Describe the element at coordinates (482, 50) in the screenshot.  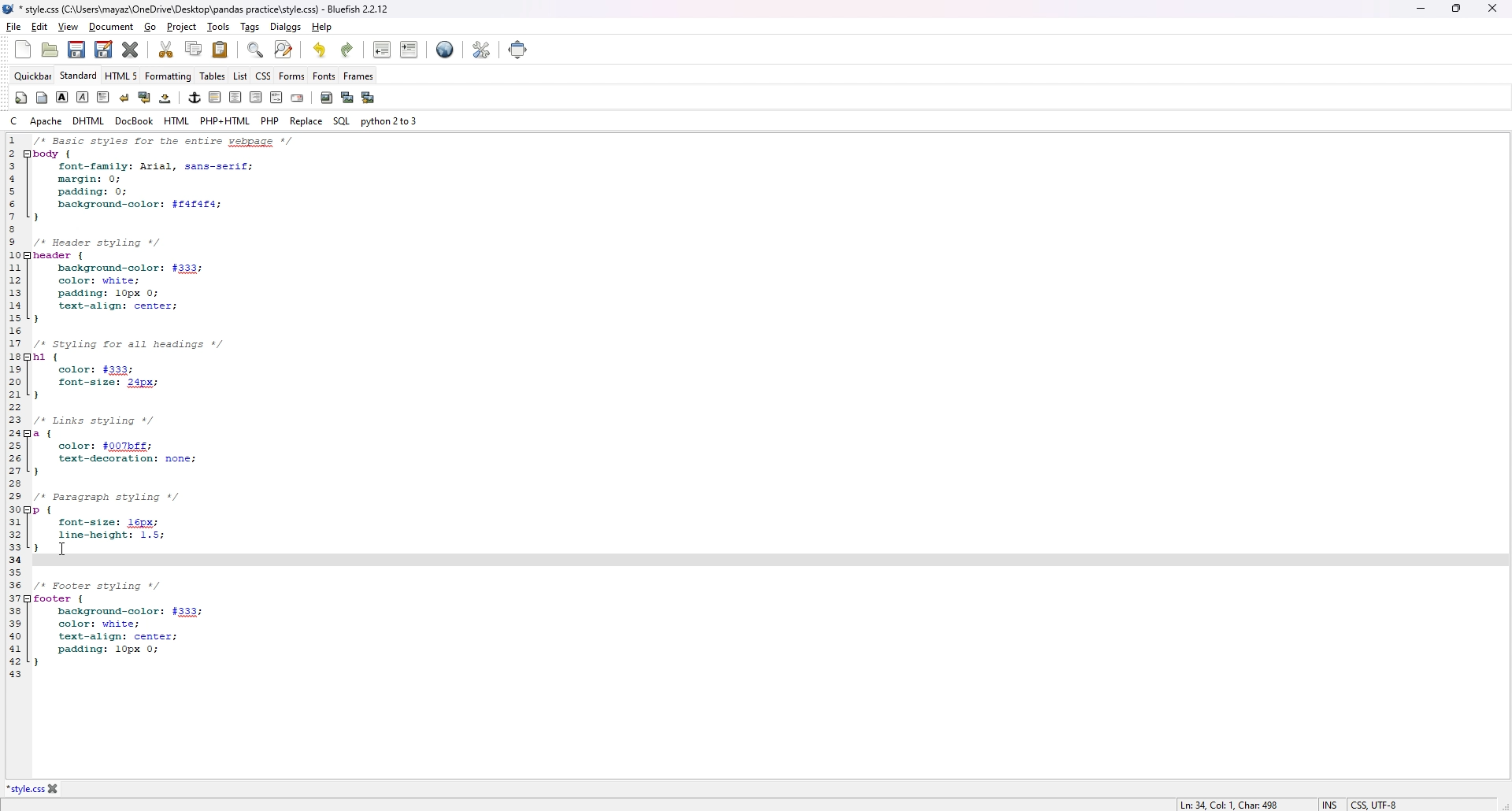
I see `edit preference` at that location.